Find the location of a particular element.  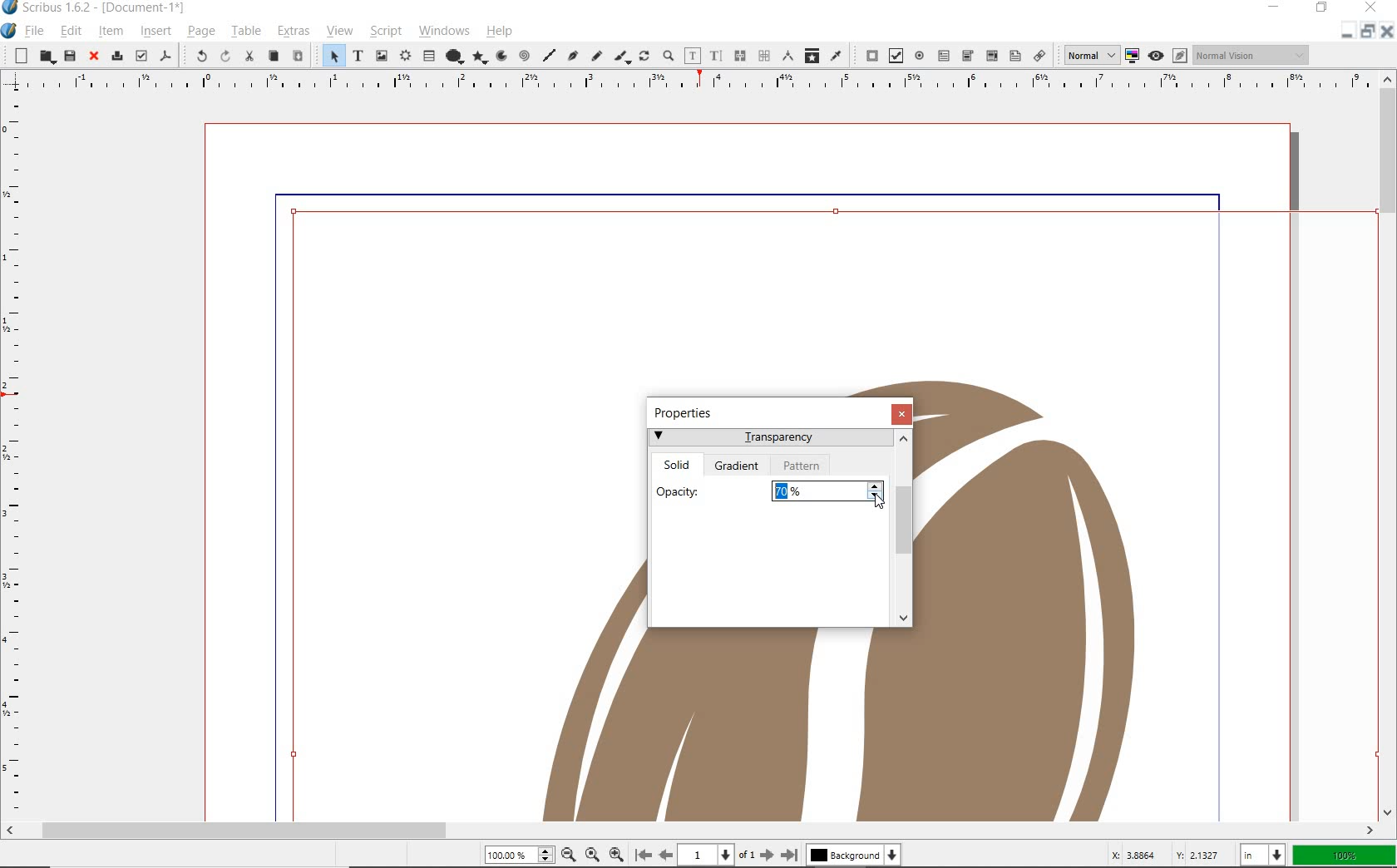

Bezier curve is located at coordinates (573, 56).